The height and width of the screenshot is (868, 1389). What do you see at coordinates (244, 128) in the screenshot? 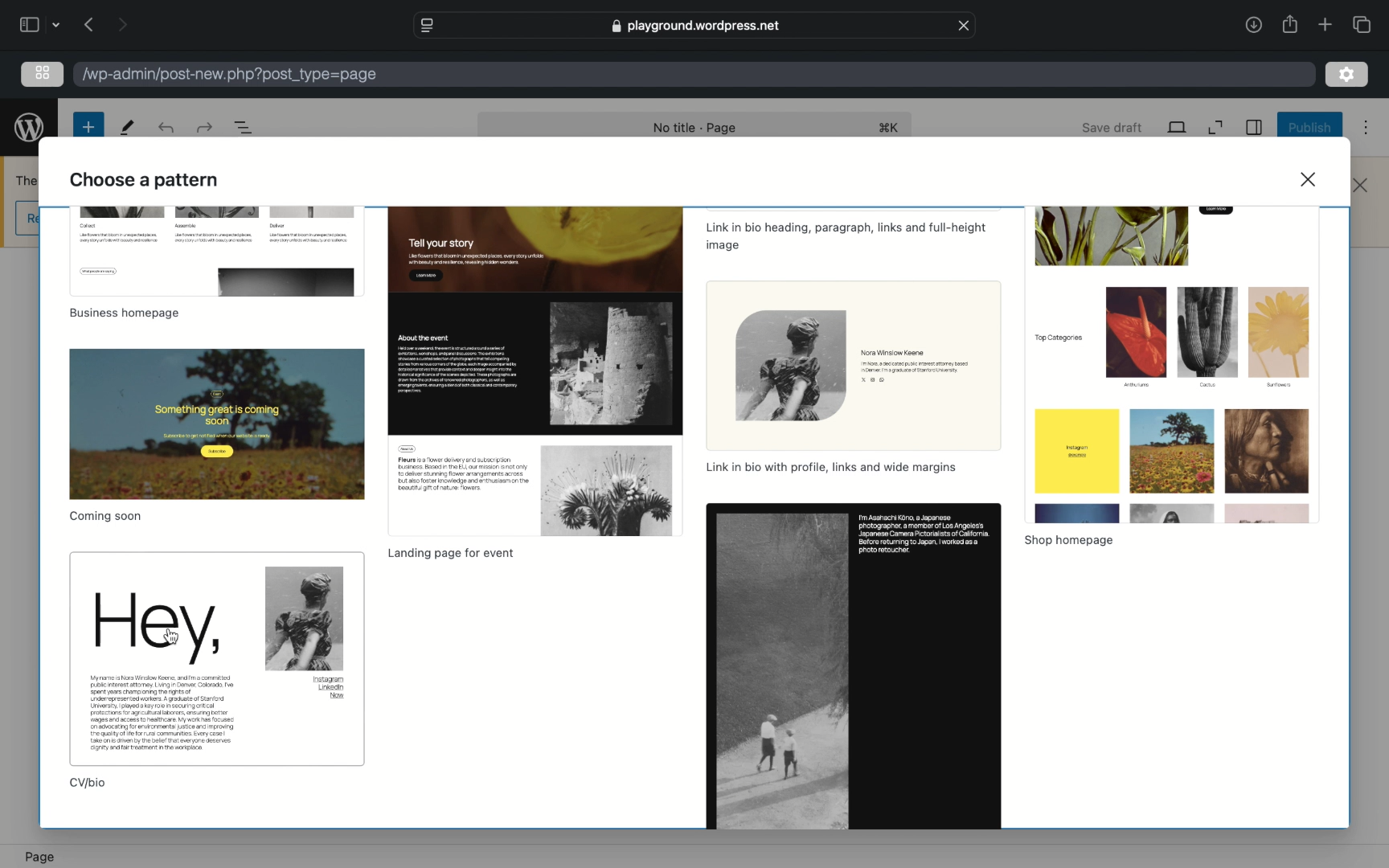
I see `document overview` at bounding box center [244, 128].